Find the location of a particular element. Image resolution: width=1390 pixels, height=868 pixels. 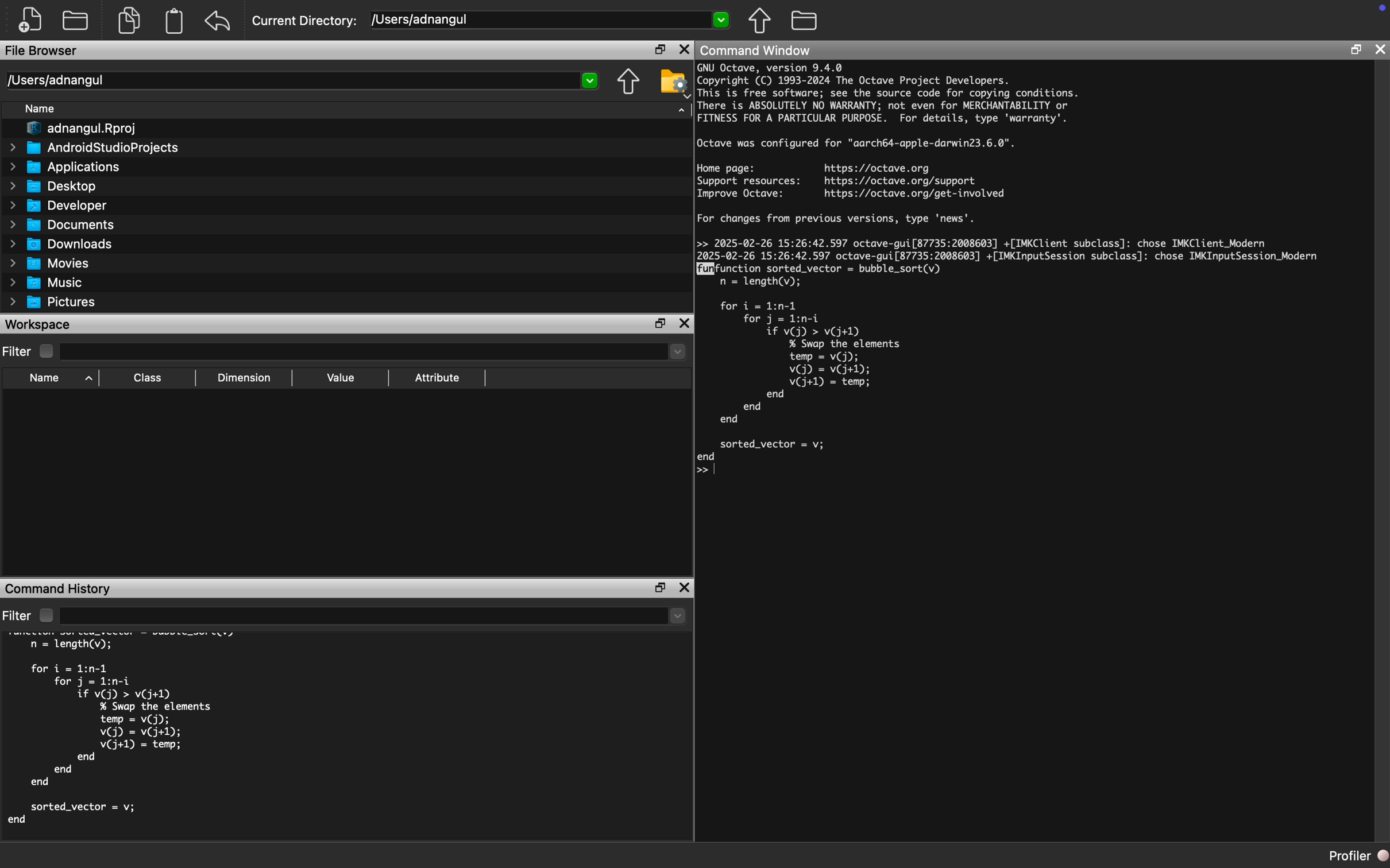

Downloads is located at coordinates (61, 243).